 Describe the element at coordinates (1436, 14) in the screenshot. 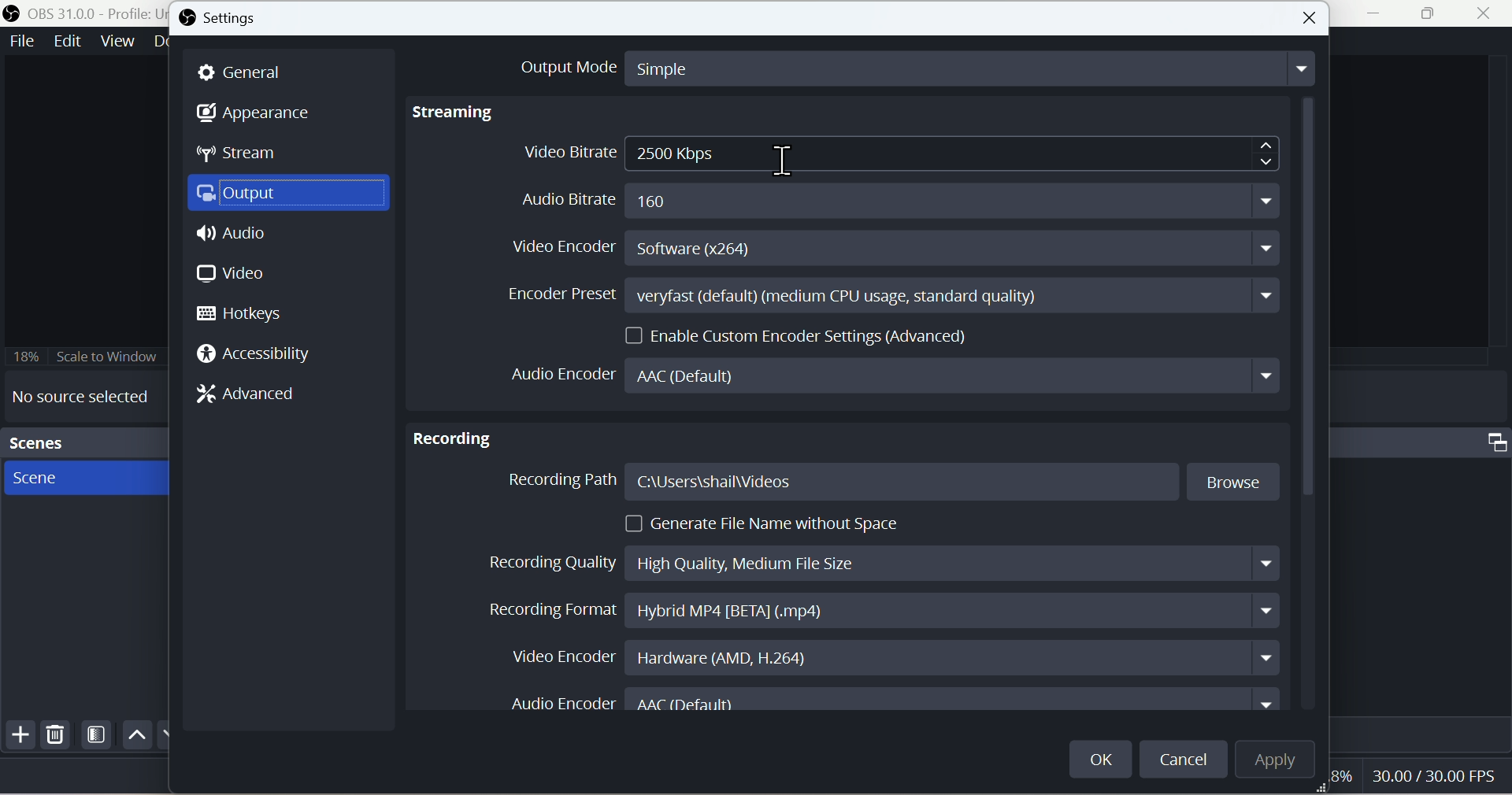

I see `Maximise` at that location.